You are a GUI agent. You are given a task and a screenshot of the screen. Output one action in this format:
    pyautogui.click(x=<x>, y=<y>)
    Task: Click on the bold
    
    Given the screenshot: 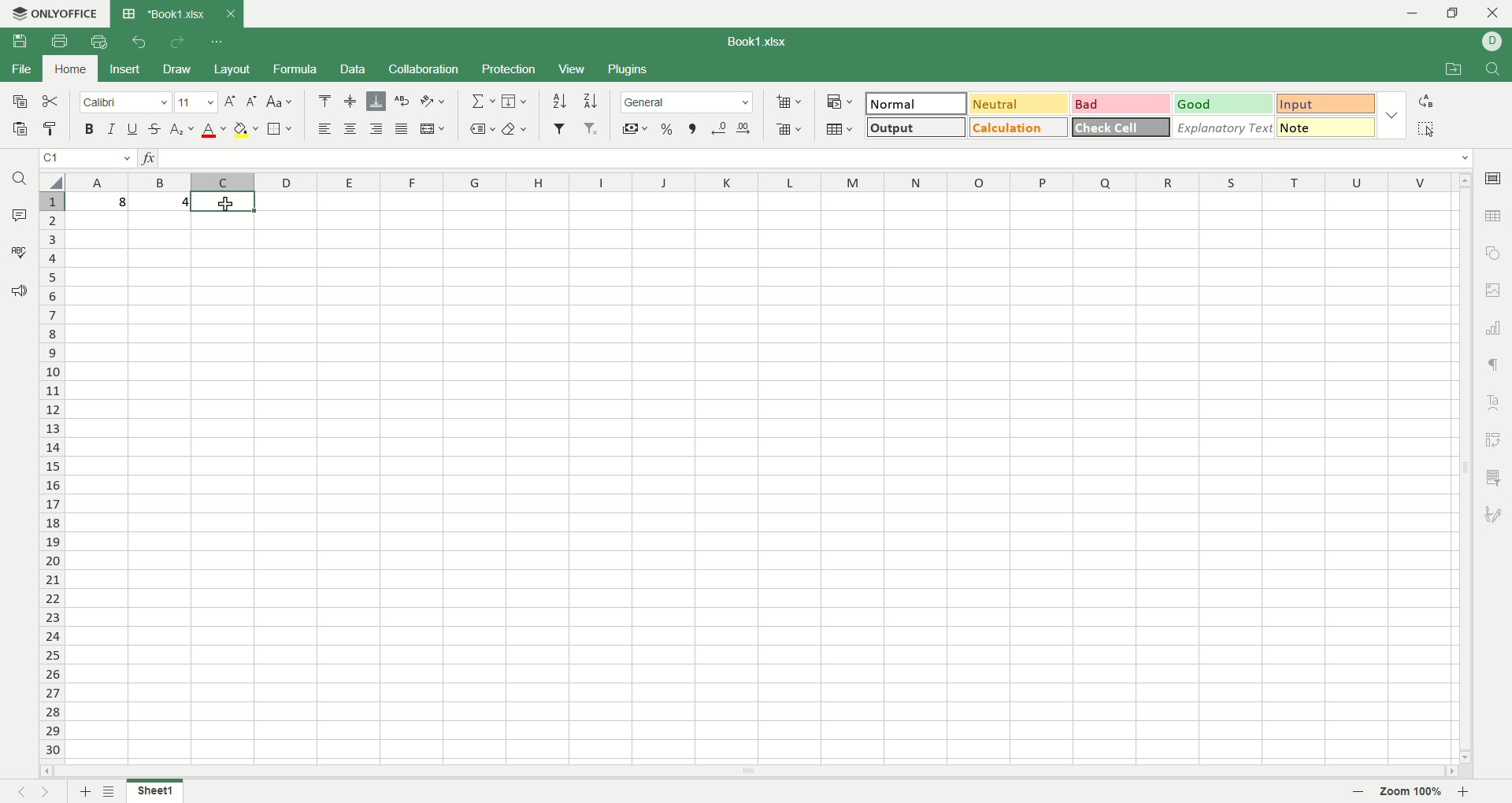 What is the action you would take?
    pyautogui.click(x=89, y=128)
    